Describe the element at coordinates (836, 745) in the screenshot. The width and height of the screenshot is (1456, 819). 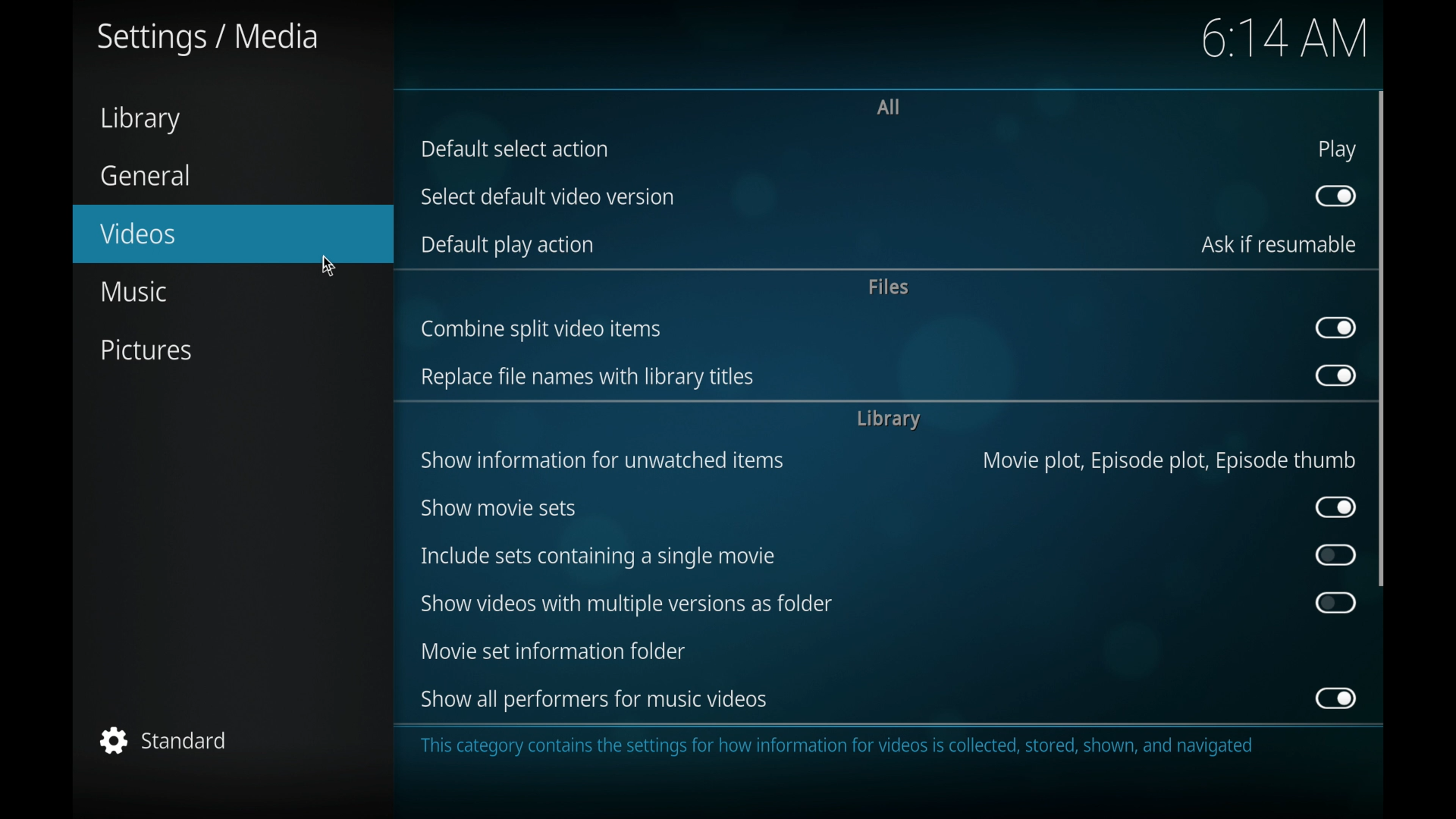
I see `info` at that location.